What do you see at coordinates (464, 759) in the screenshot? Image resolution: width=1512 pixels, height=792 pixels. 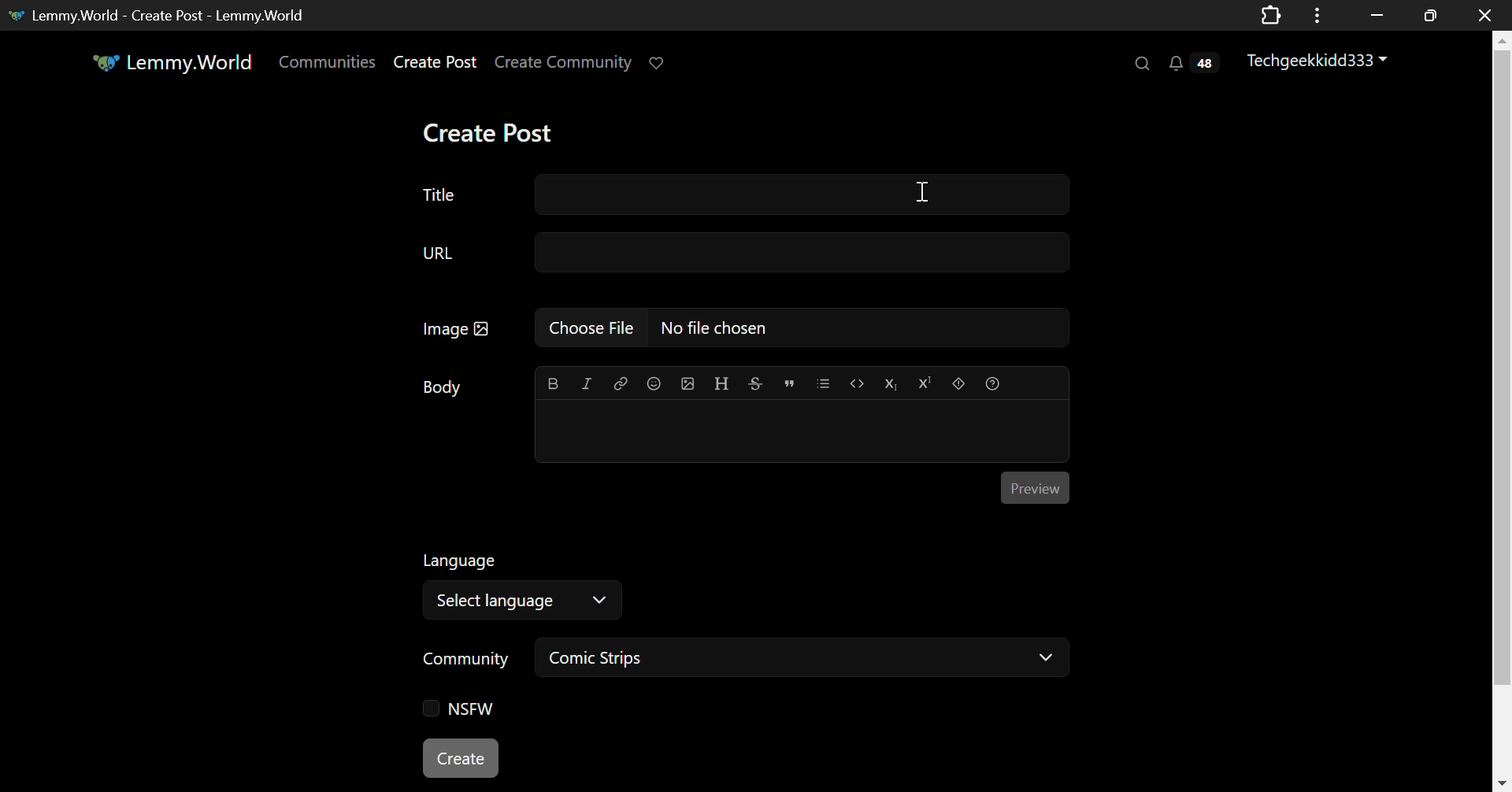 I see `Create` at bounding box center [464, 759].